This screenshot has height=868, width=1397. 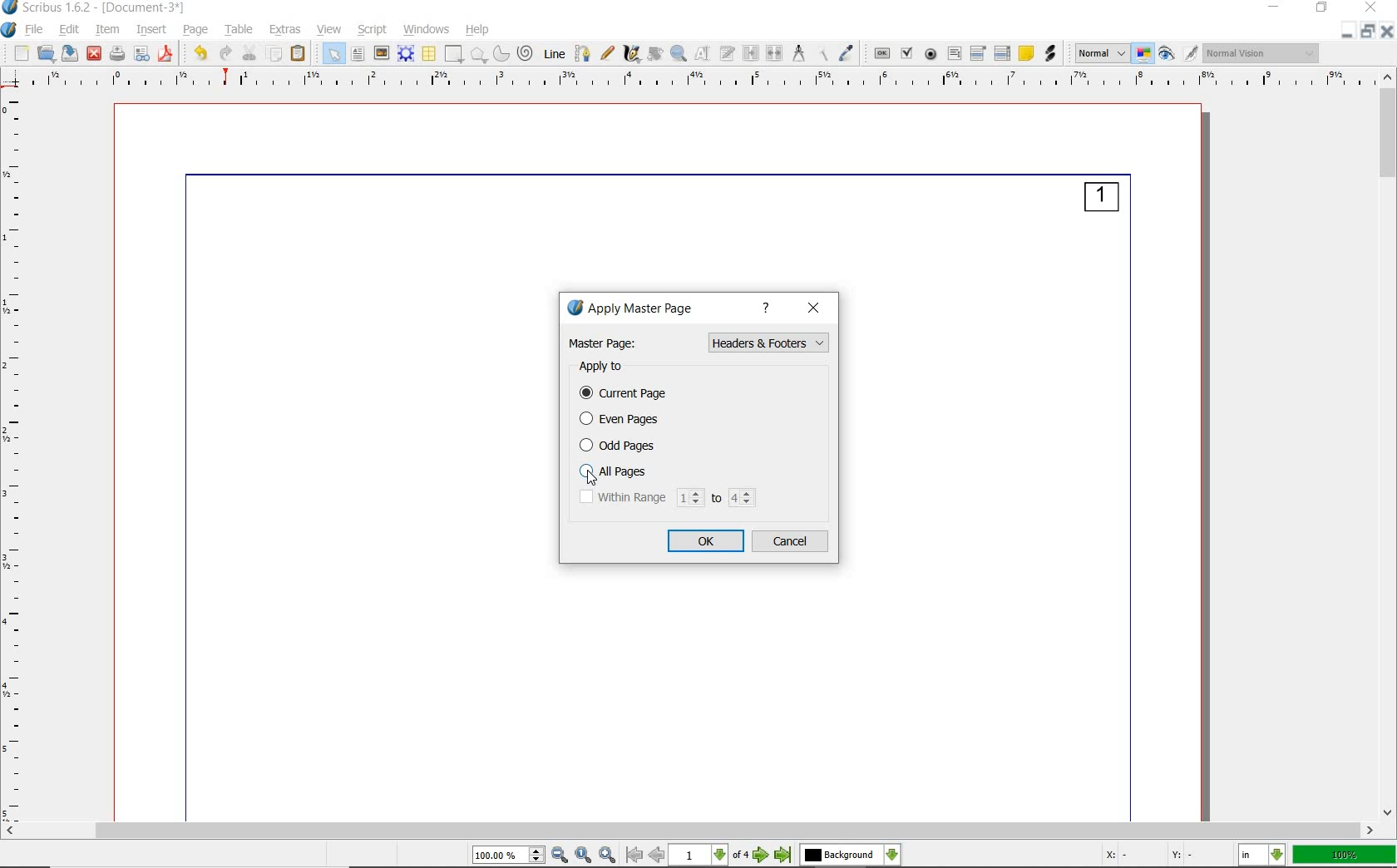 I want to click on text annotation, so click(x=1027, y=53).